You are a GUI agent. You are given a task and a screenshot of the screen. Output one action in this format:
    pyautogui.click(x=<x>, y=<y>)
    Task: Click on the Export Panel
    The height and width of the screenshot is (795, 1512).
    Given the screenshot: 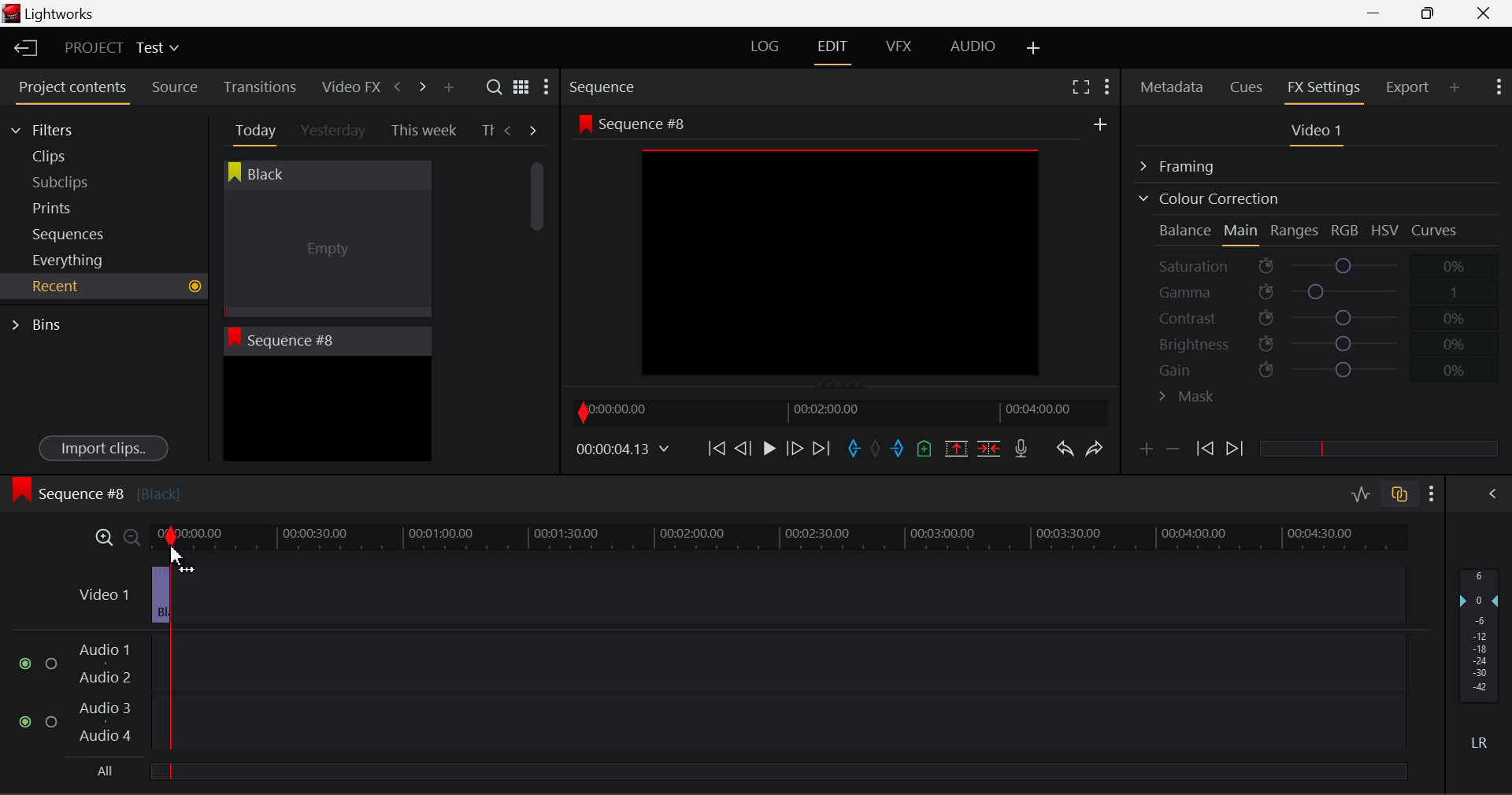 What is the action you would take?
    pyautogui.click(x=1410, y=87)
    